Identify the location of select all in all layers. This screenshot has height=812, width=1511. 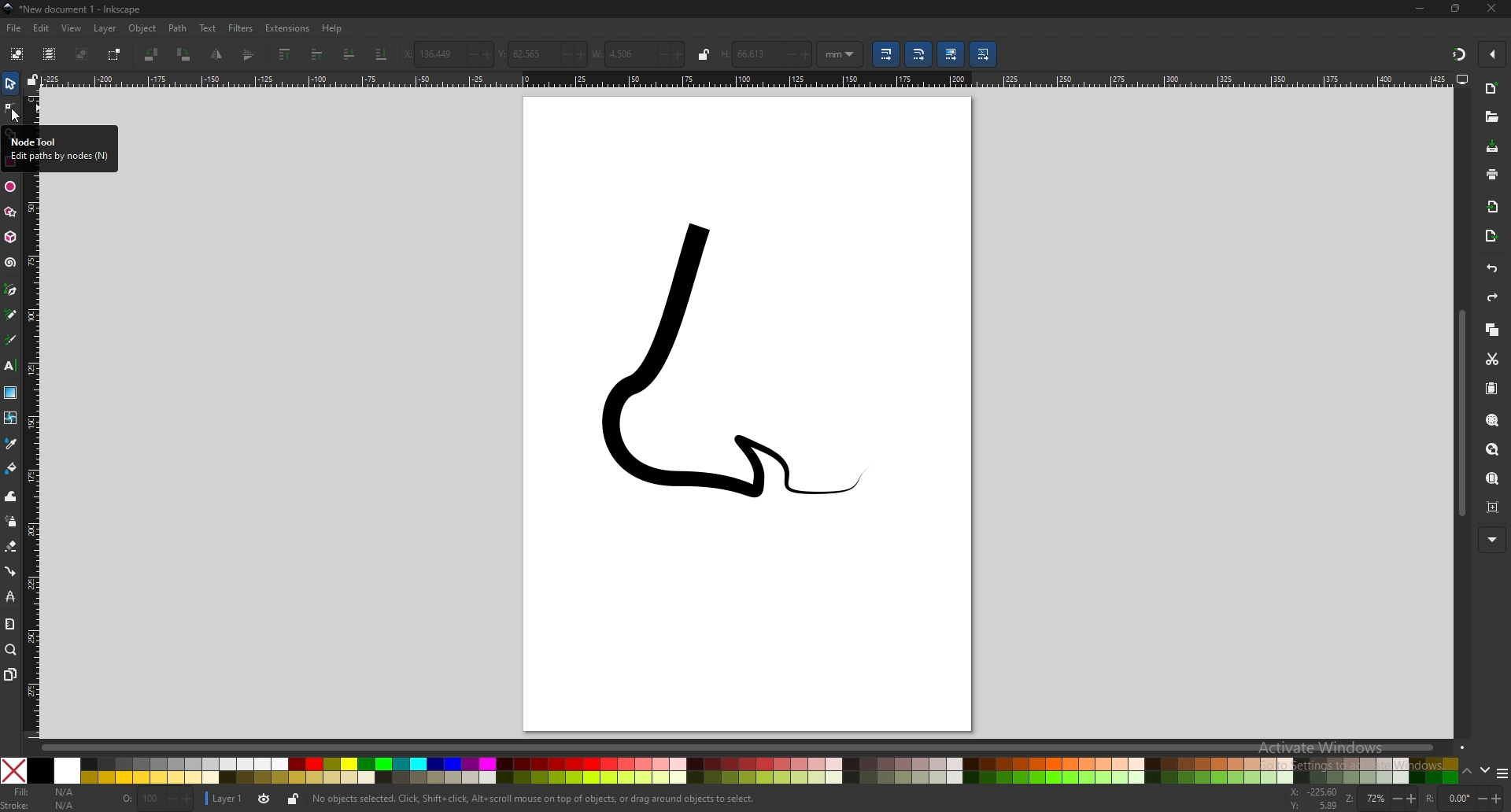
(52, 53).